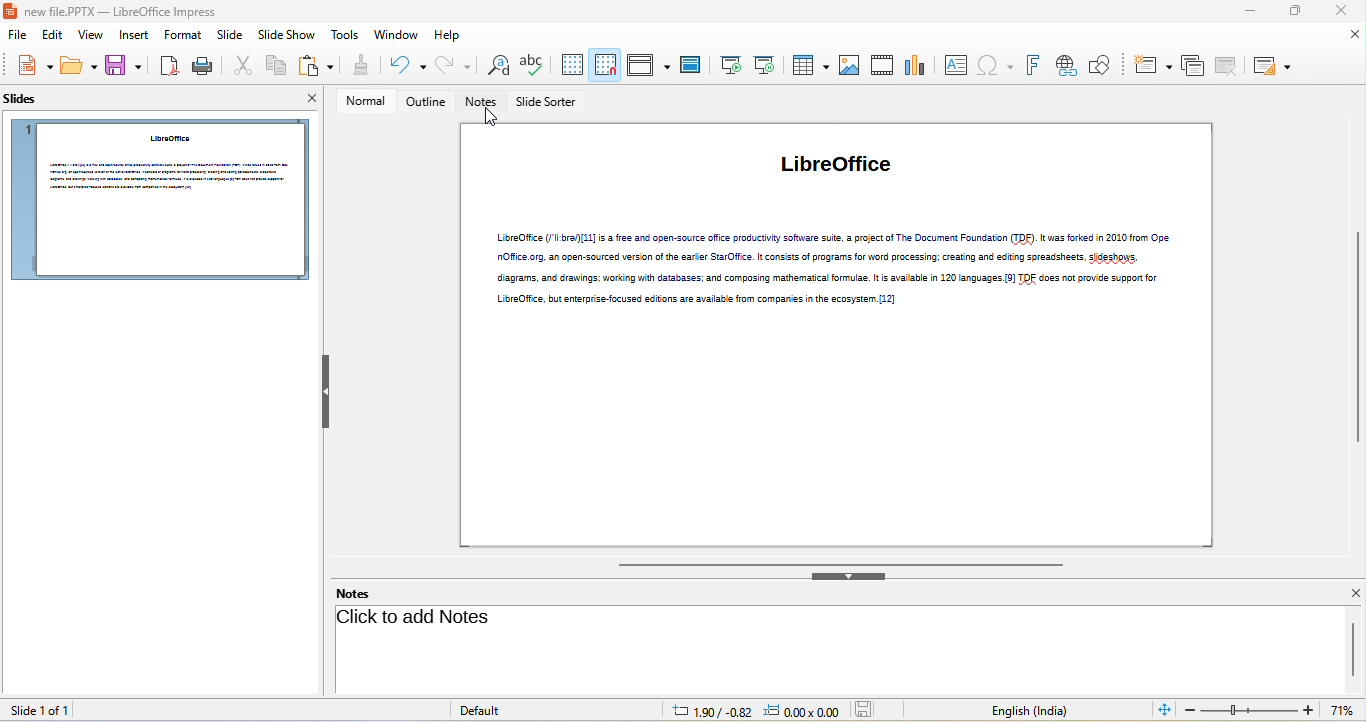 This screenshot has width=1366, height=722. What do you see at coordinates (835, 163) in the screenshot?
I see `libre office` at bounding box center [835, 163].